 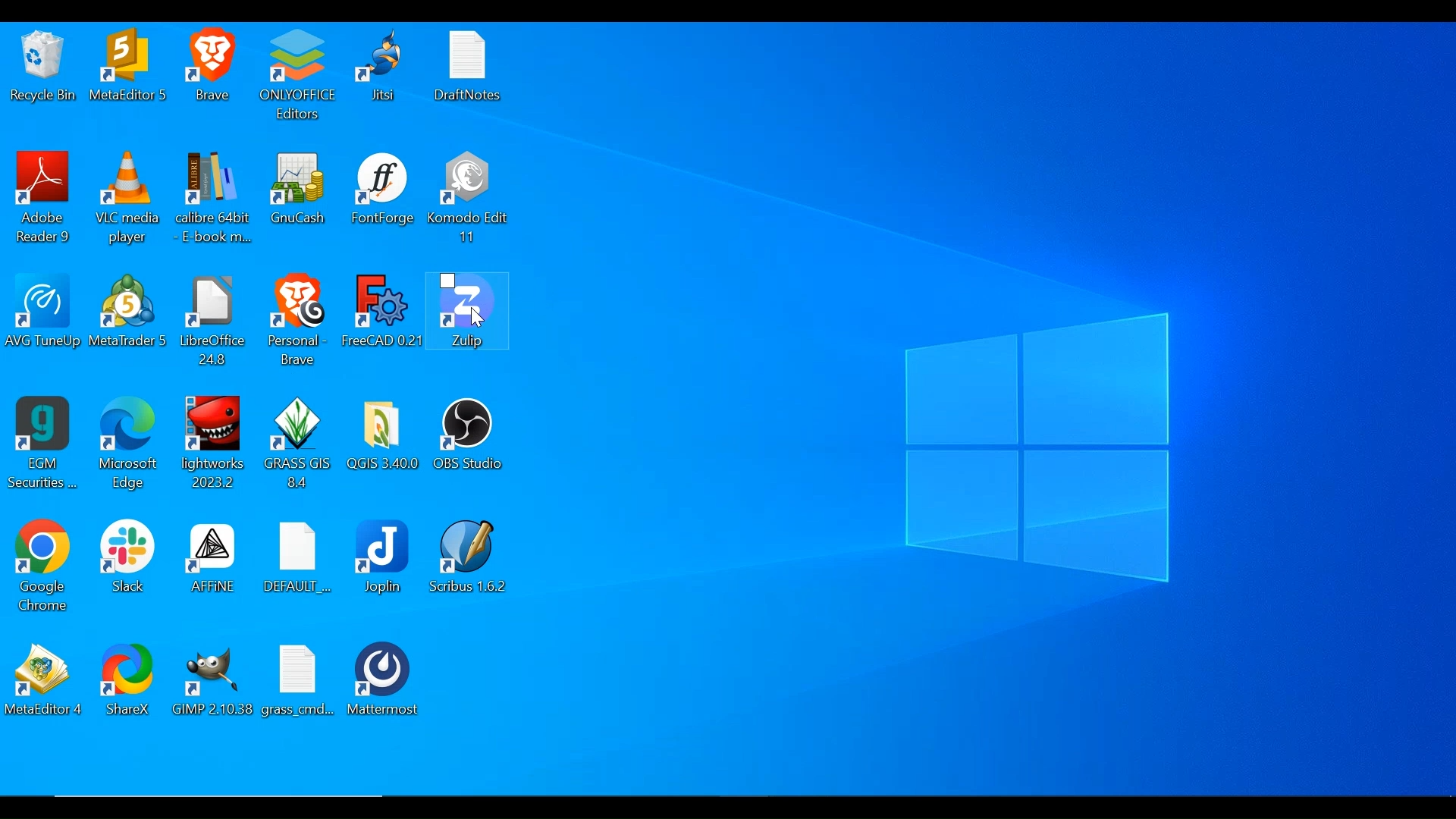 What do you see at coordinates (42, 68) in the screenshot?
I see `Recycle Bin Desktop Icon` at bounding box center [42, 68].